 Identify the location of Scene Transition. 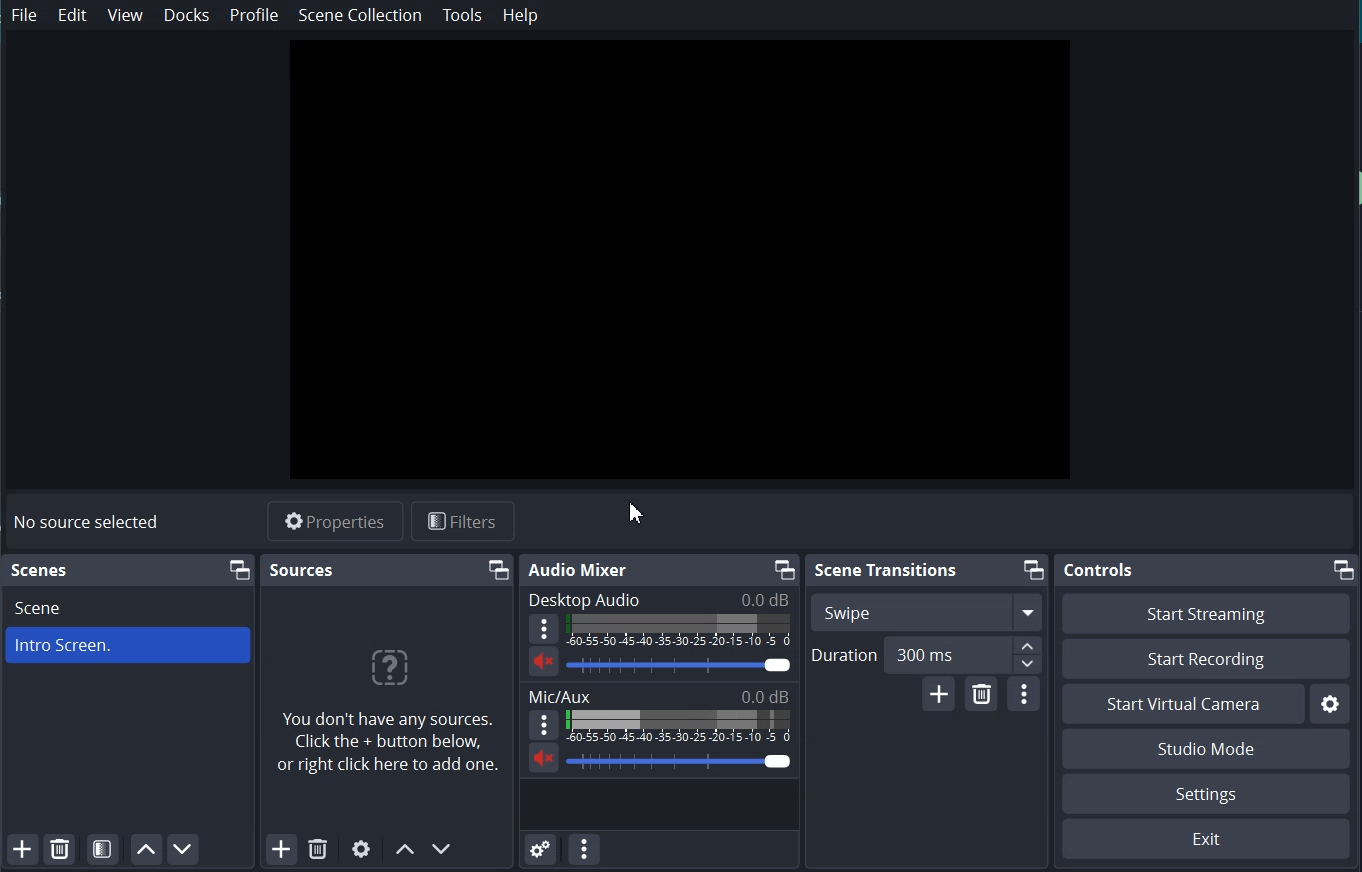
(887, 571).